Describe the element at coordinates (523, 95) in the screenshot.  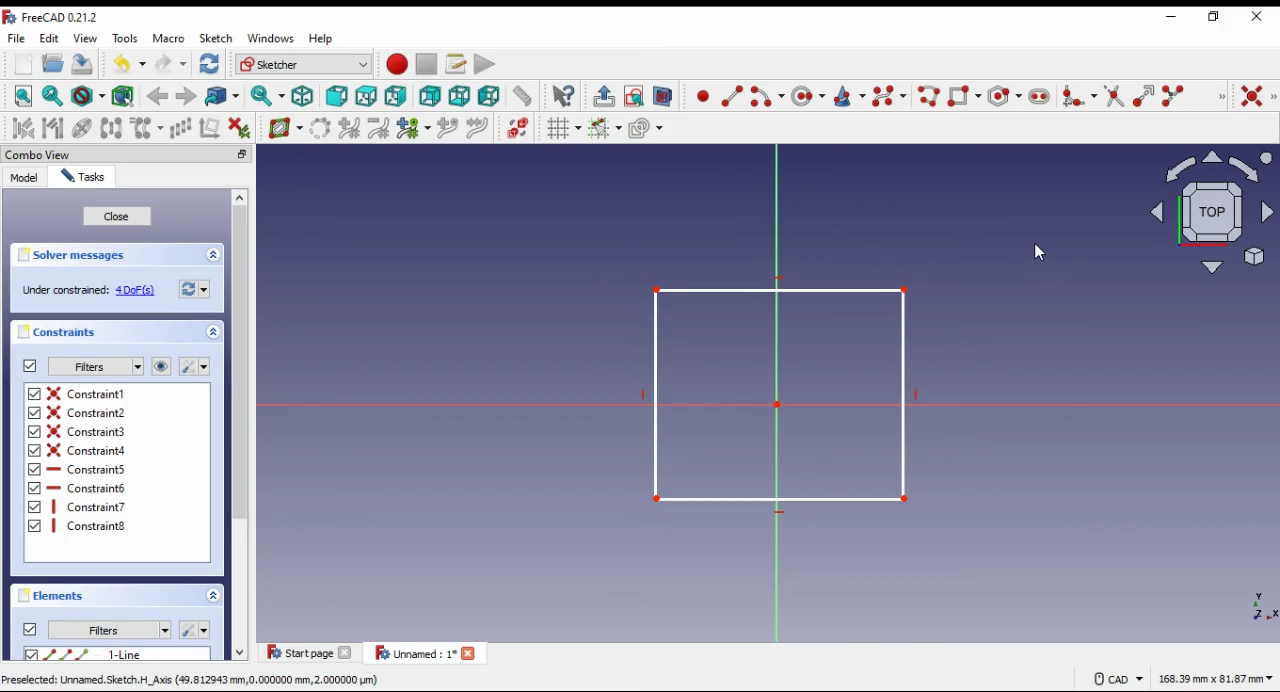
I see `measure distance` at that location.